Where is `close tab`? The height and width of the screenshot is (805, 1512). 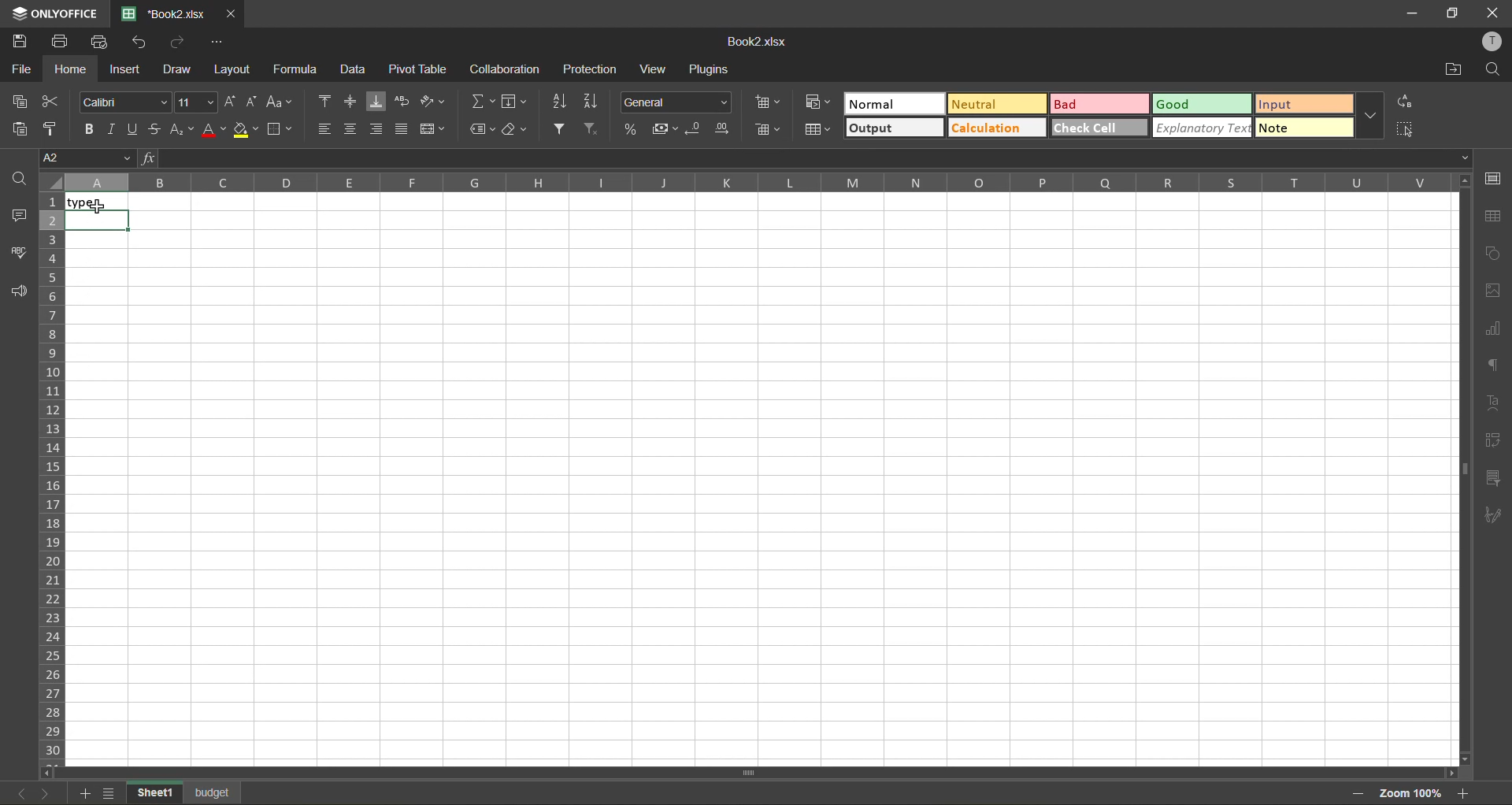
close tab is located at coordinates (233, 14).